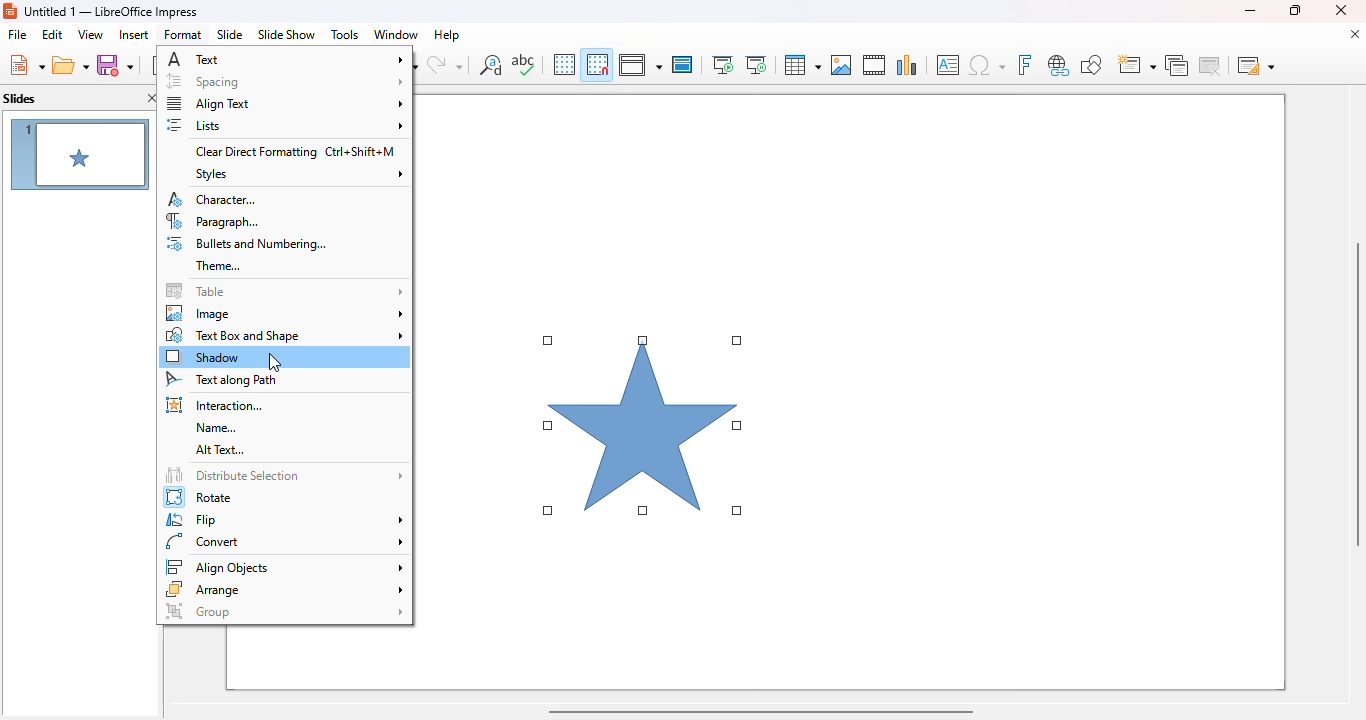 The image size is (1366, 720). Describe the element at coordinates (801, 65) in the screenshot. I see `table` at that location.